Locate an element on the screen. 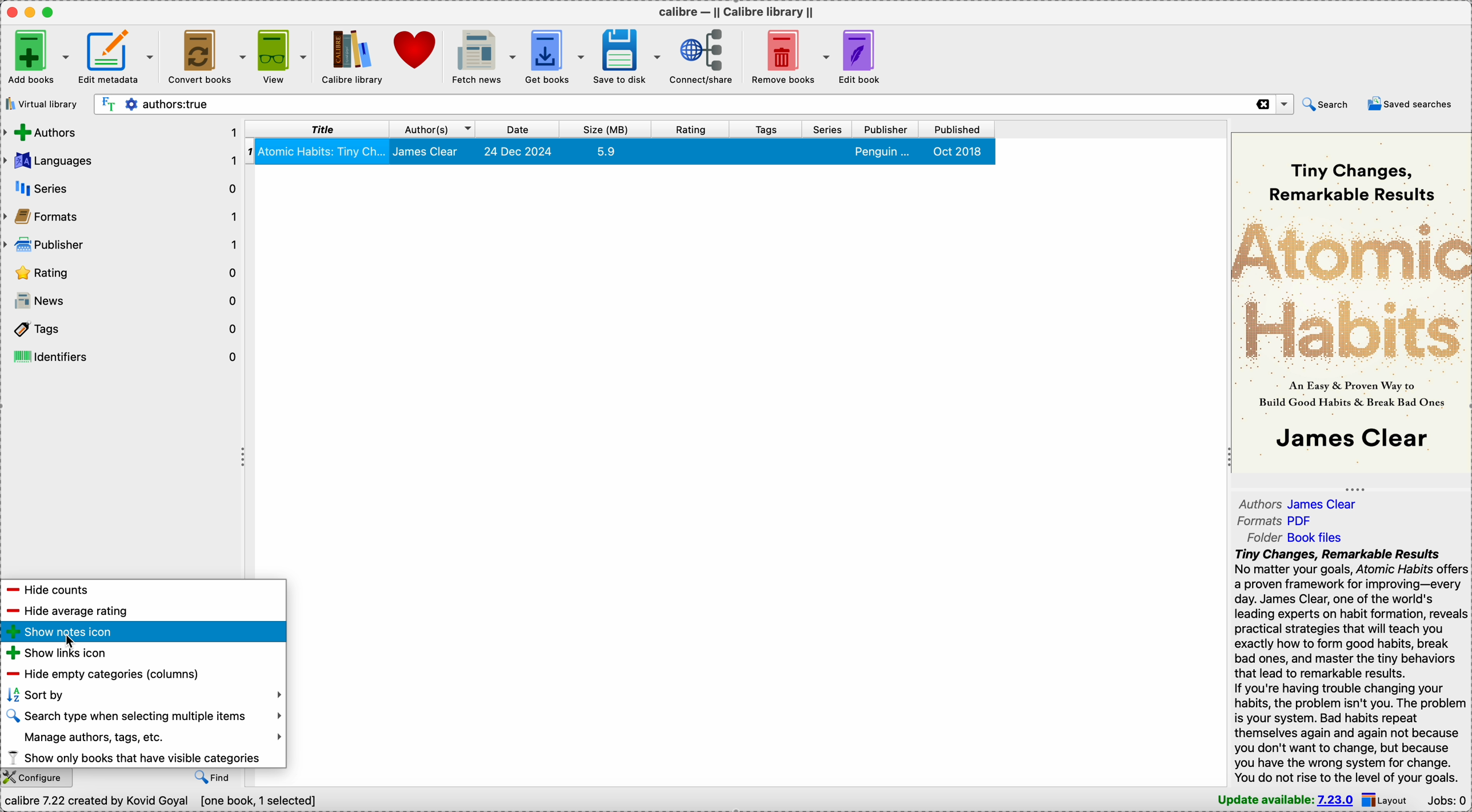 Image resolution: width=1472 pixels, height=812 pixels. convert books is located at coordinates (207, 57).